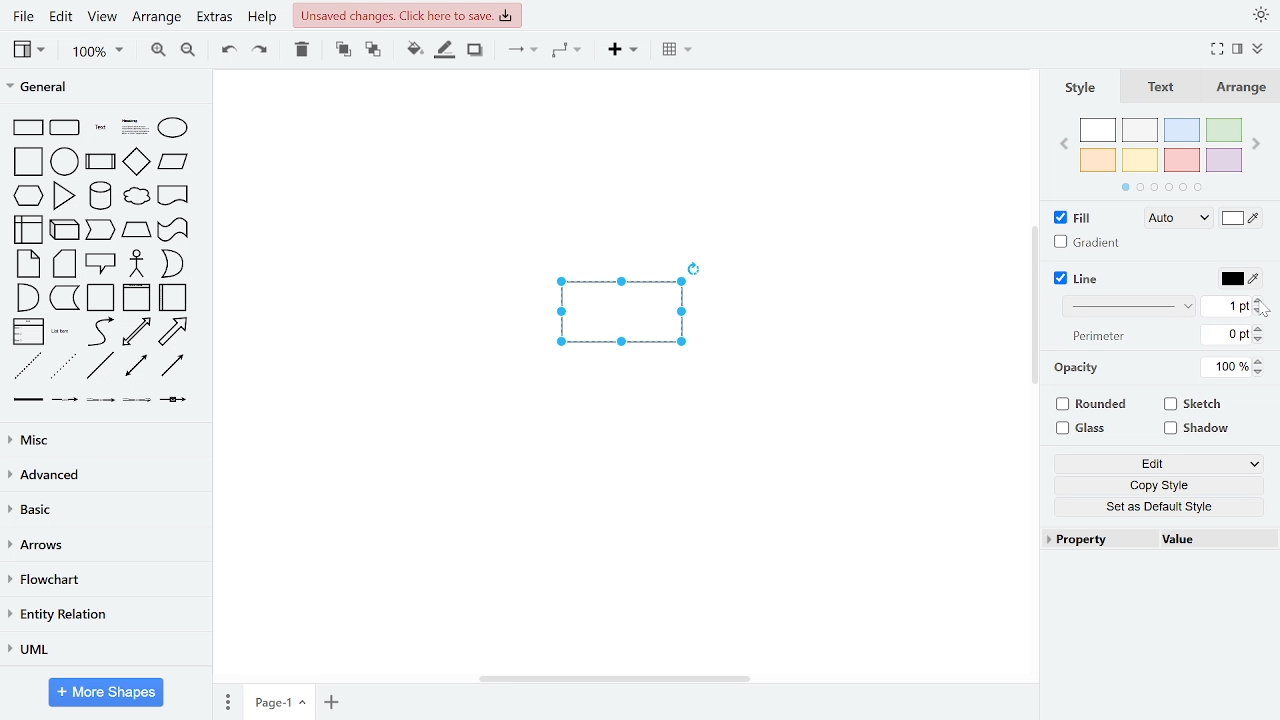 This screenshot has height=720, width=1280. Describe the element at coordinates (1261, 14) in the screenshot. I see `theme` at that location.